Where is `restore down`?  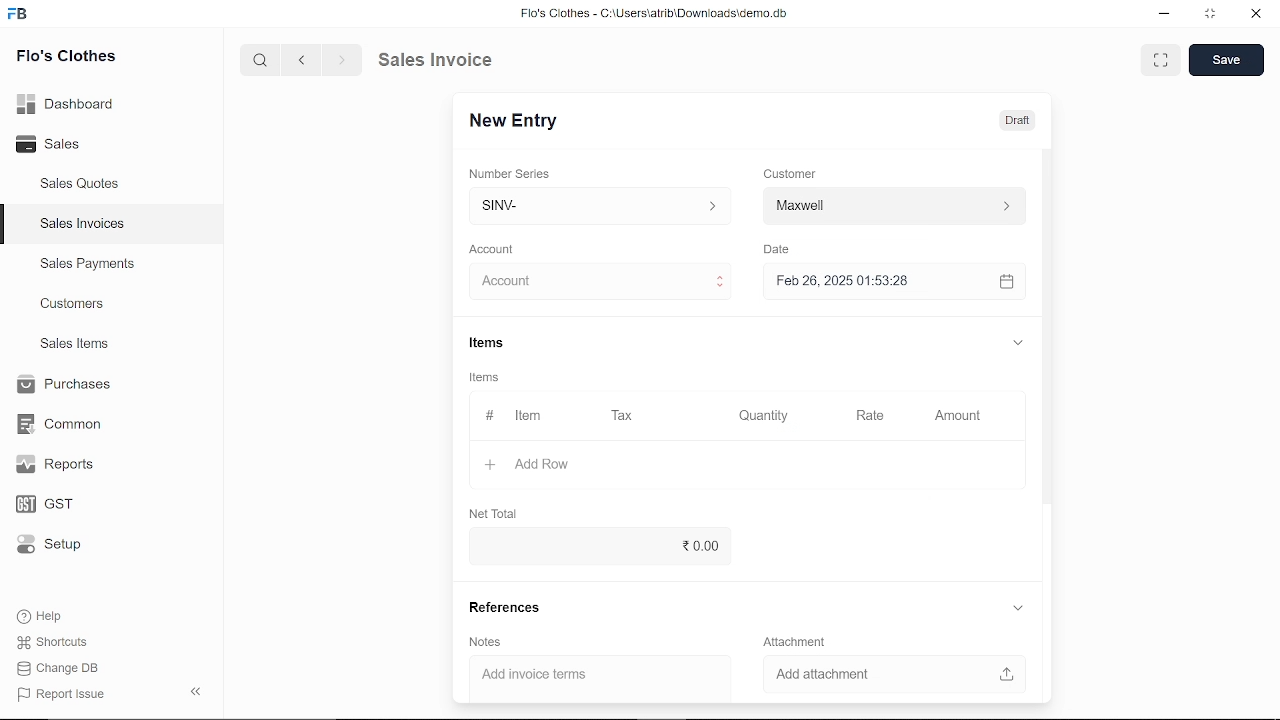
restore down is located at coordinates (1212, 15).